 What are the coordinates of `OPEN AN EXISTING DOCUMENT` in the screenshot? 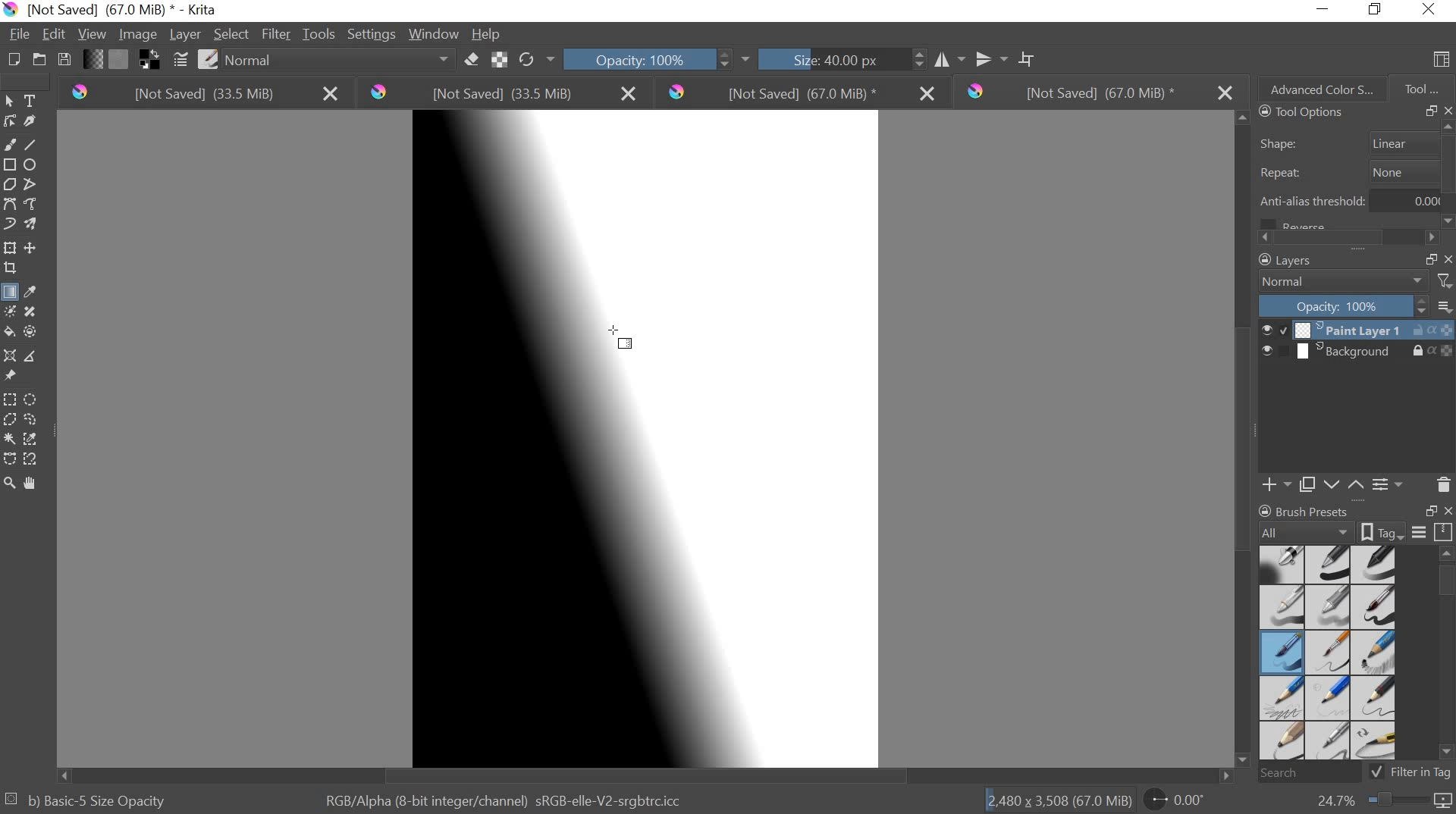 It's located at (36, 61).